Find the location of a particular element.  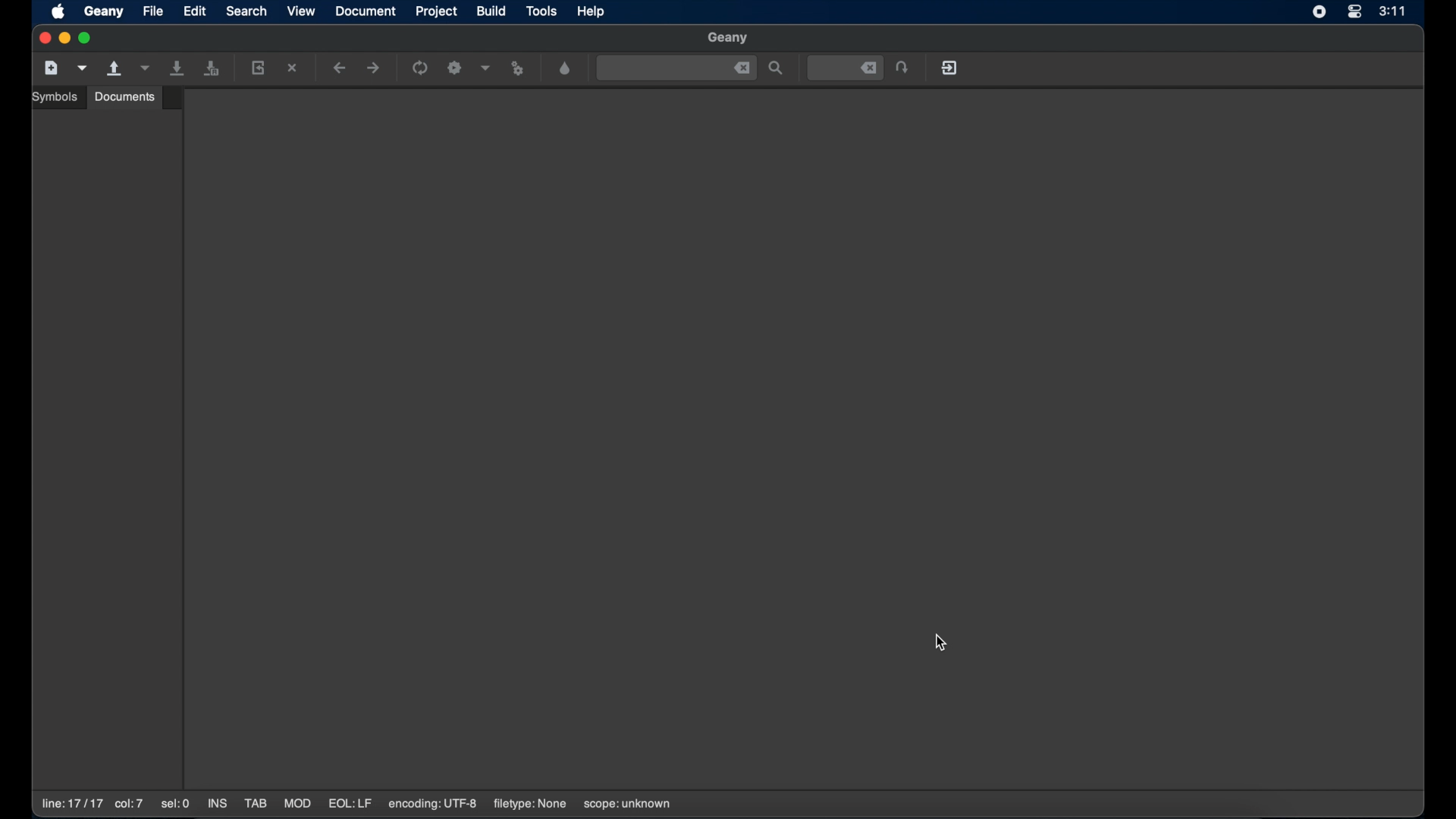

sel:0 is located at coordinates (177, 805).